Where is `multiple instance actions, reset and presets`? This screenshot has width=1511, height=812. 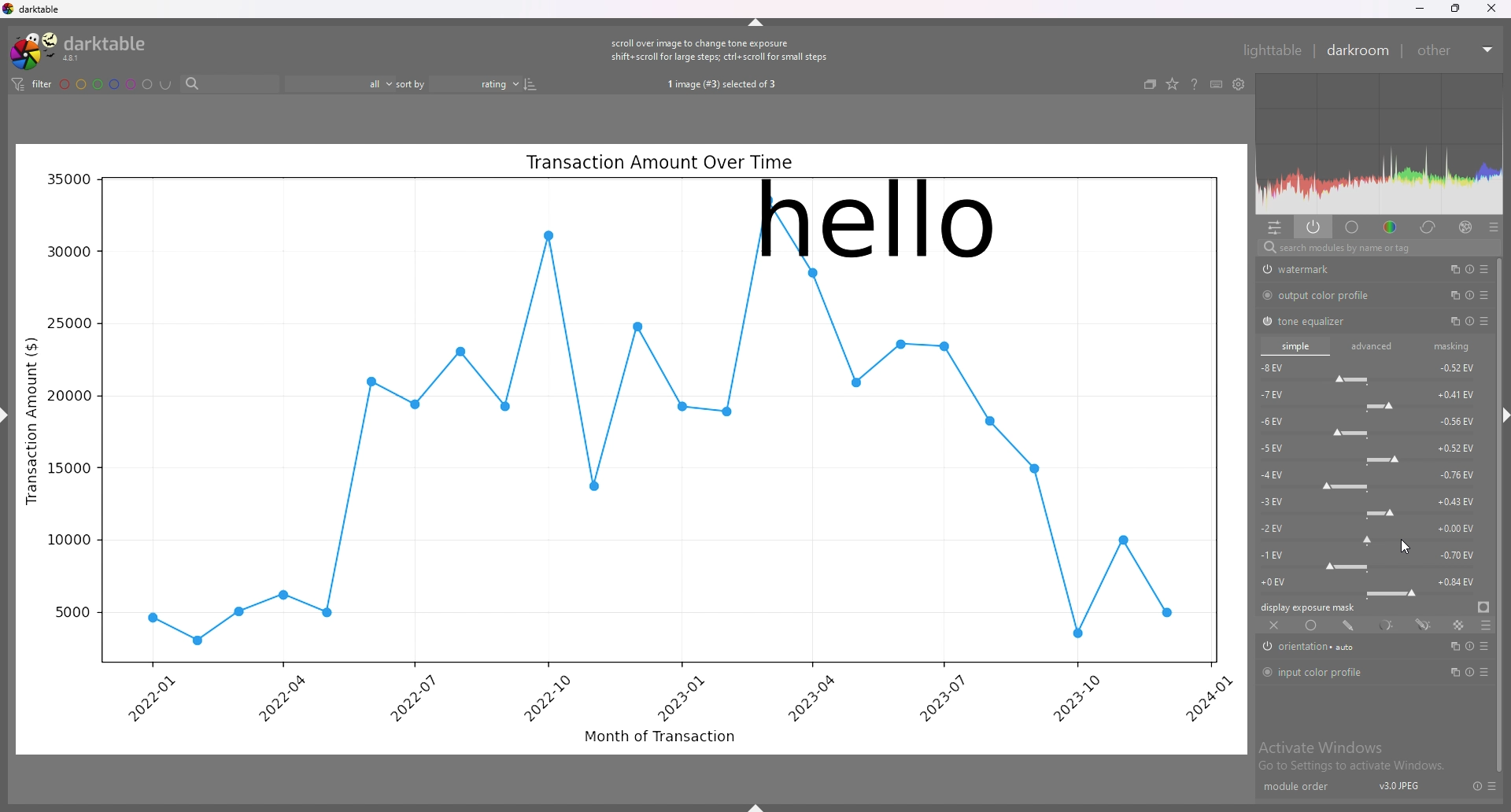 multiple instance actions, reset and presets is located at coordinates (1469, 268).